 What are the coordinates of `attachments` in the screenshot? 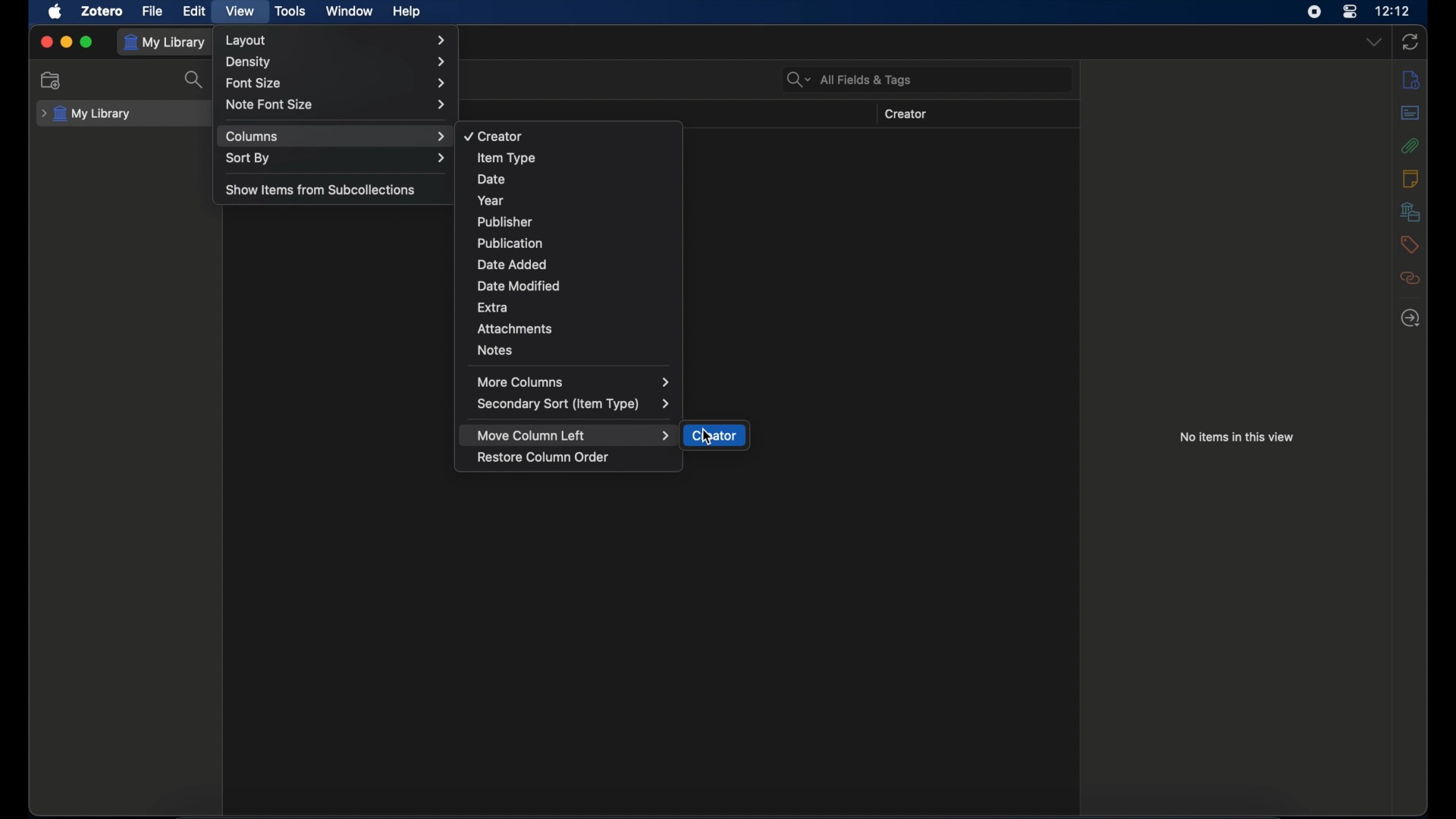 It's located at (1410, 146).